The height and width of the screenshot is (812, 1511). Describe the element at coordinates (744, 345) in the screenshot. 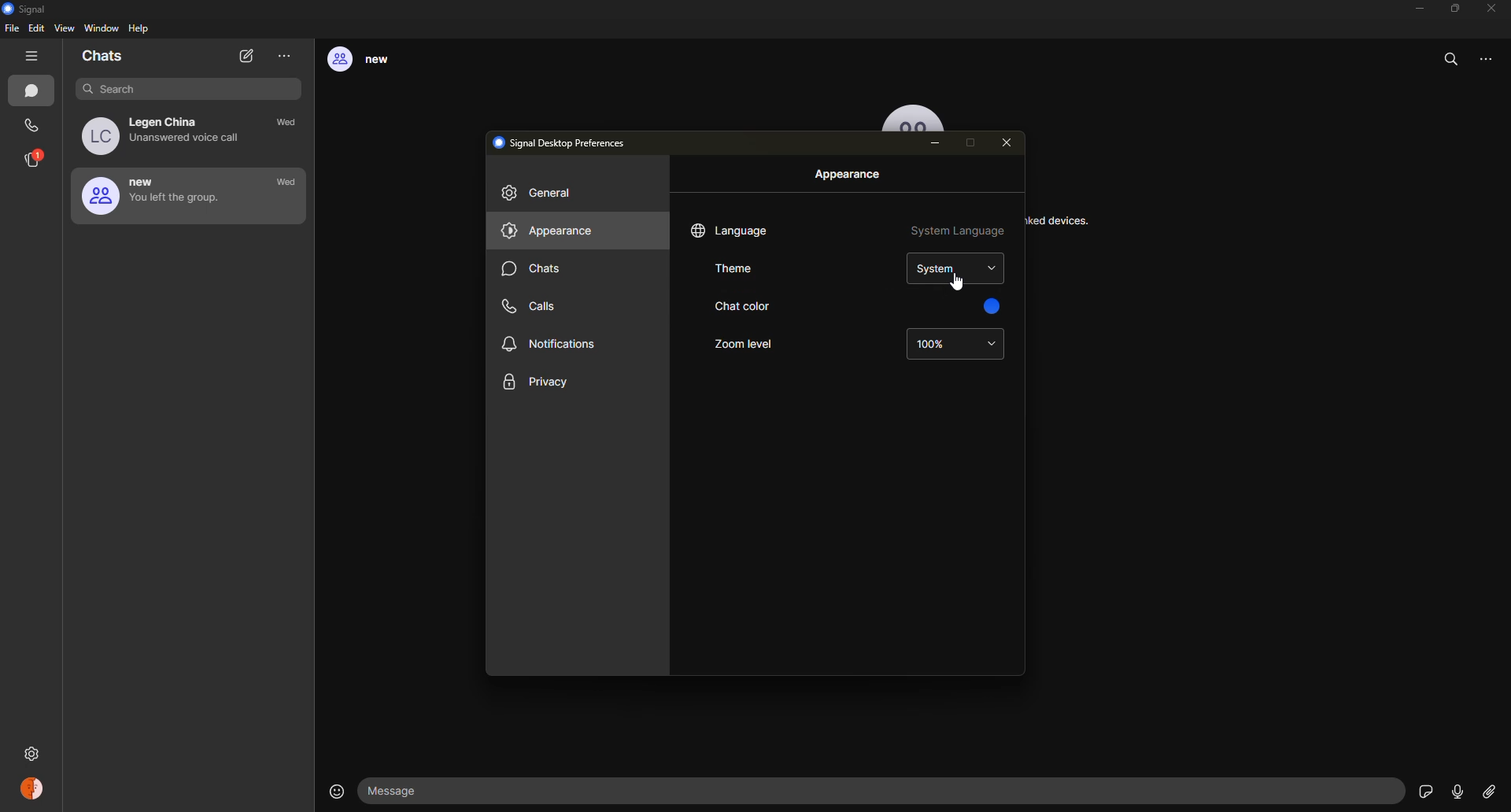

I see `zoom level` at that location.